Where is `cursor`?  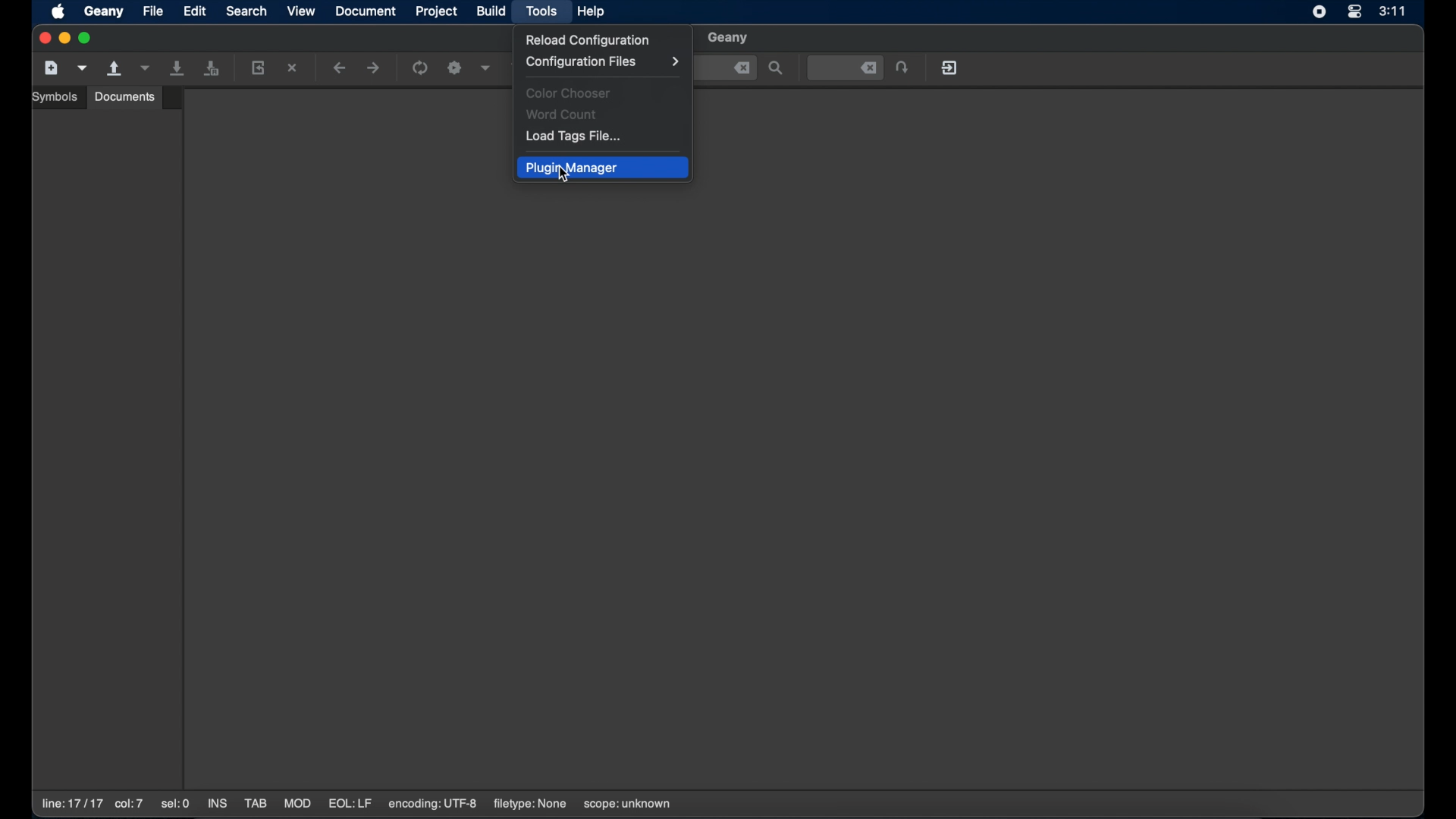 cursor is located at coordinates (563, 179).